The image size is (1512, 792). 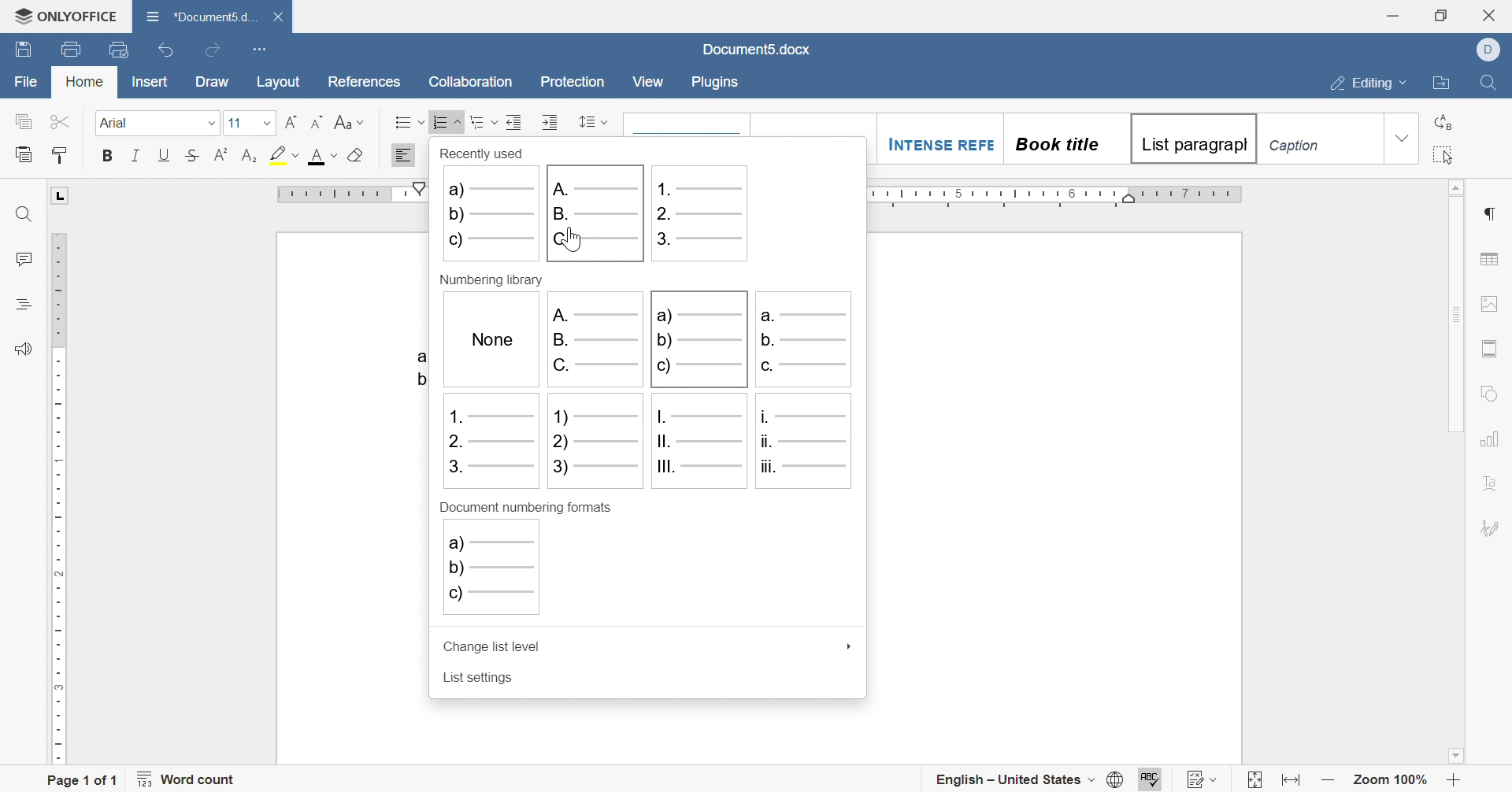 I want to click on set document language, so click(x=1029, y=781).